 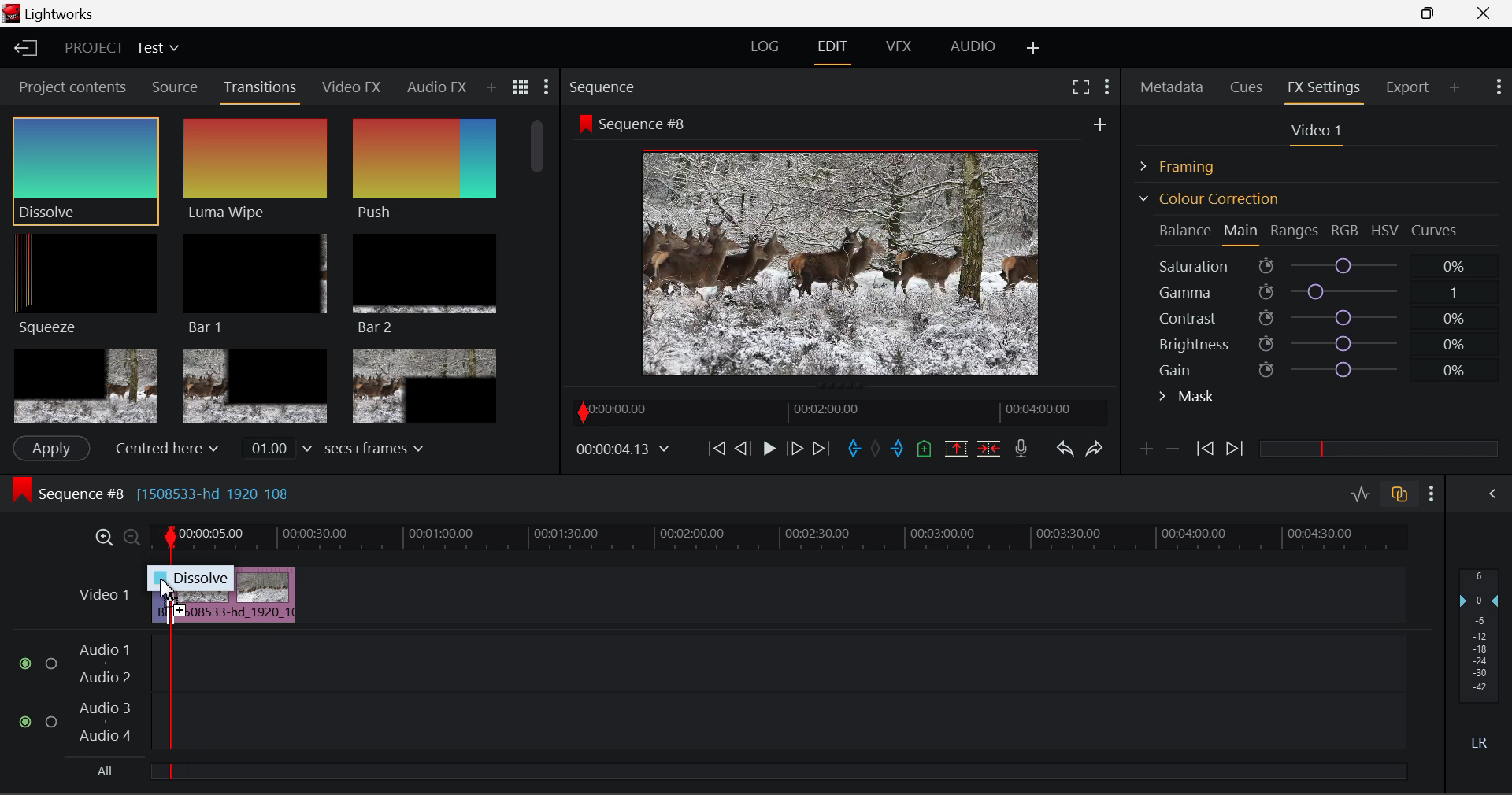 I want to click on Box 3, so click(x=422, y=386).